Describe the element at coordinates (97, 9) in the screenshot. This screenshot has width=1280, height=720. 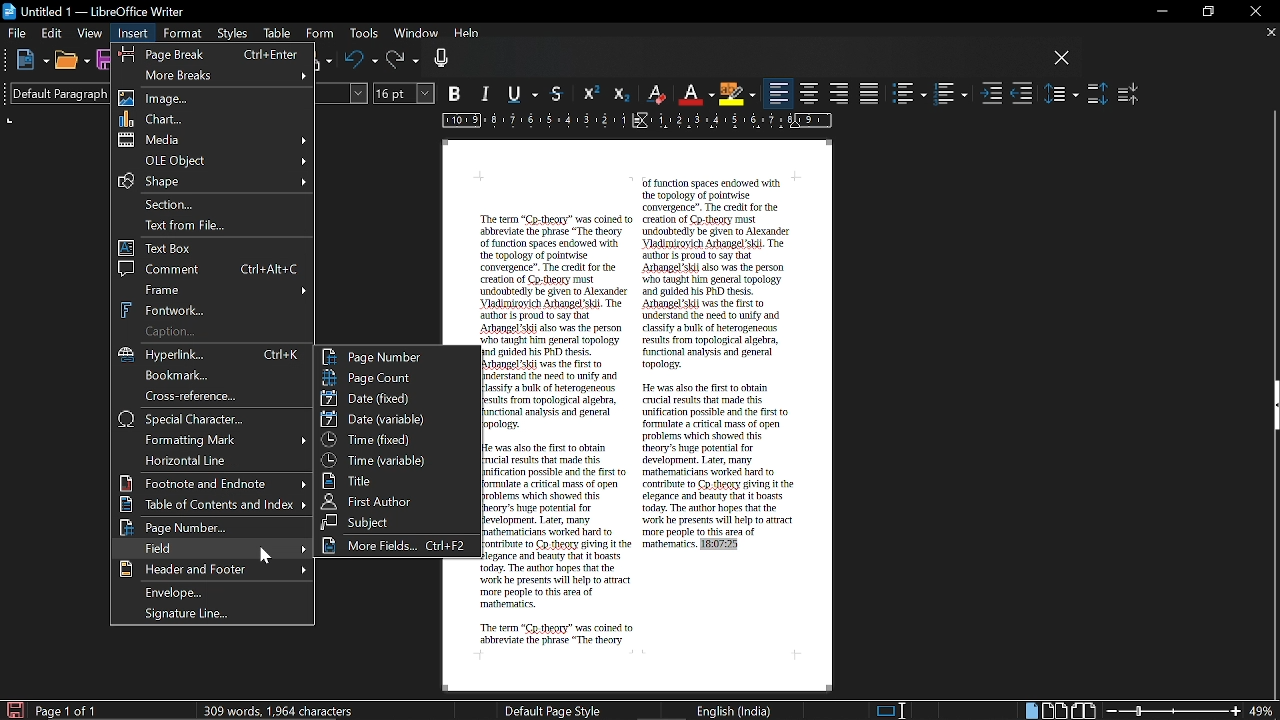
I see `untitled 1 - libreoffice writer` at that location.